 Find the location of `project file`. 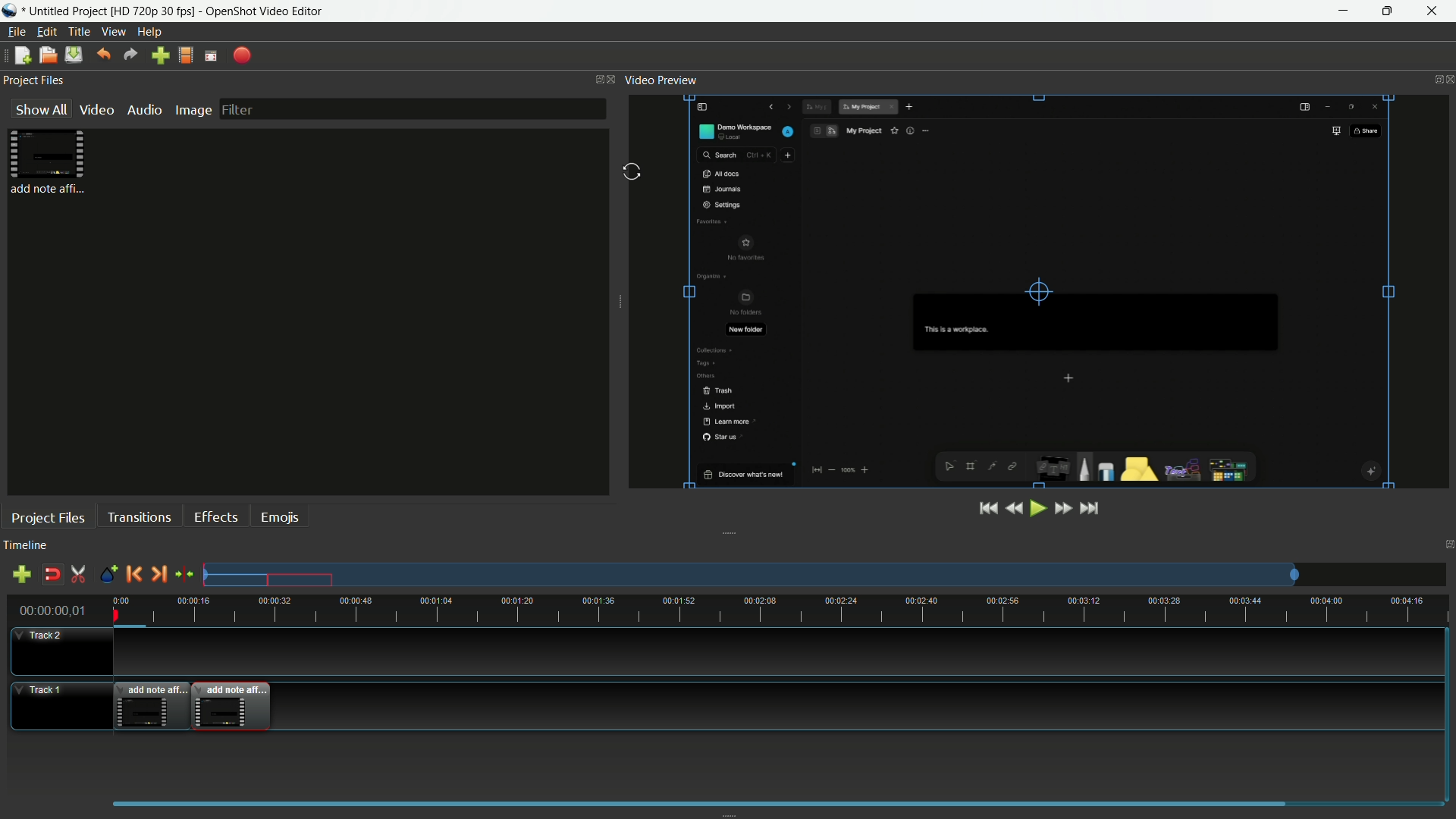

project file is located at coordinates (48, 163).